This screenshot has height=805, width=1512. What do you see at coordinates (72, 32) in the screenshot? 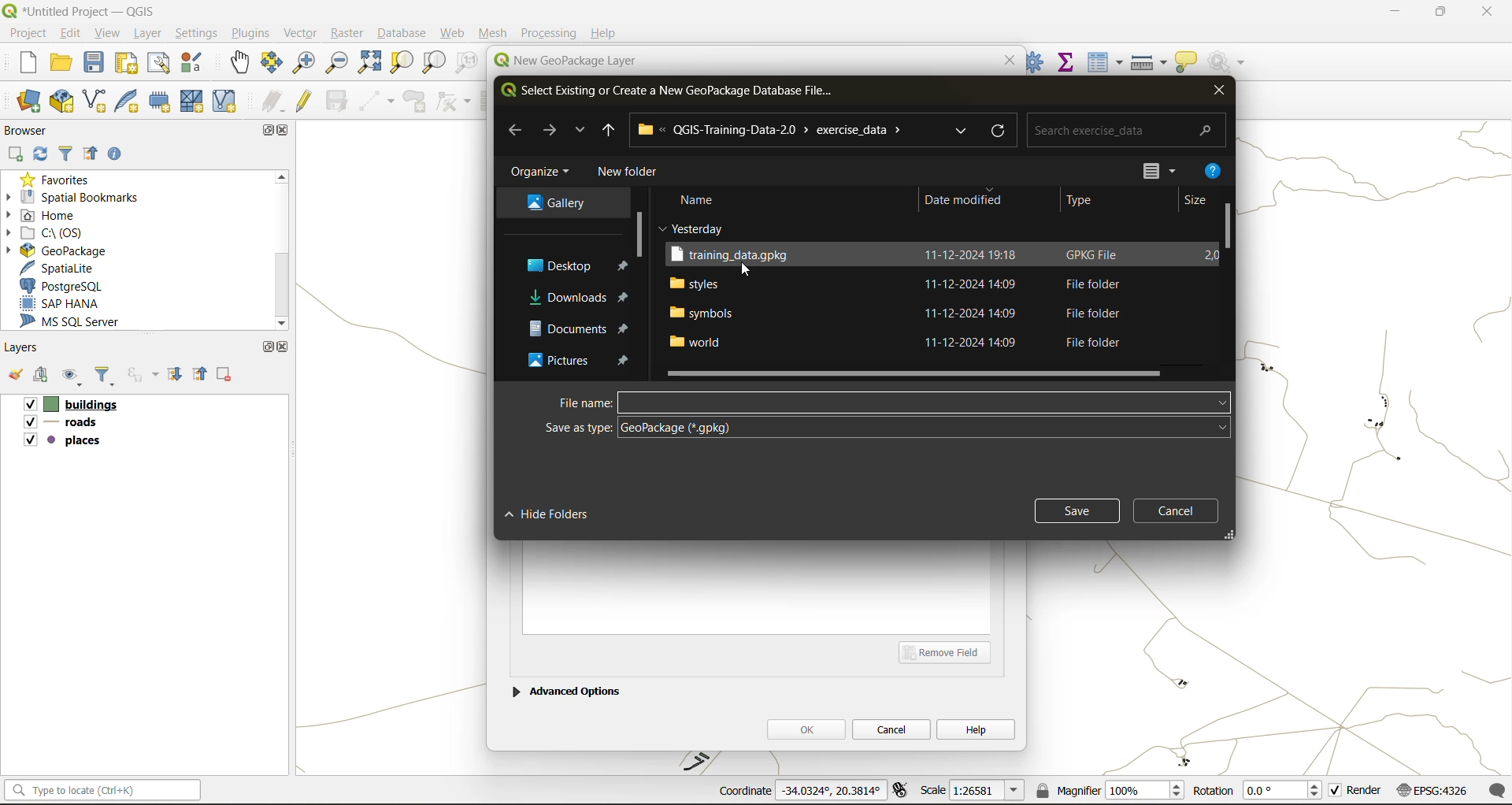
I see `edit` at bounding box center [72, 32].